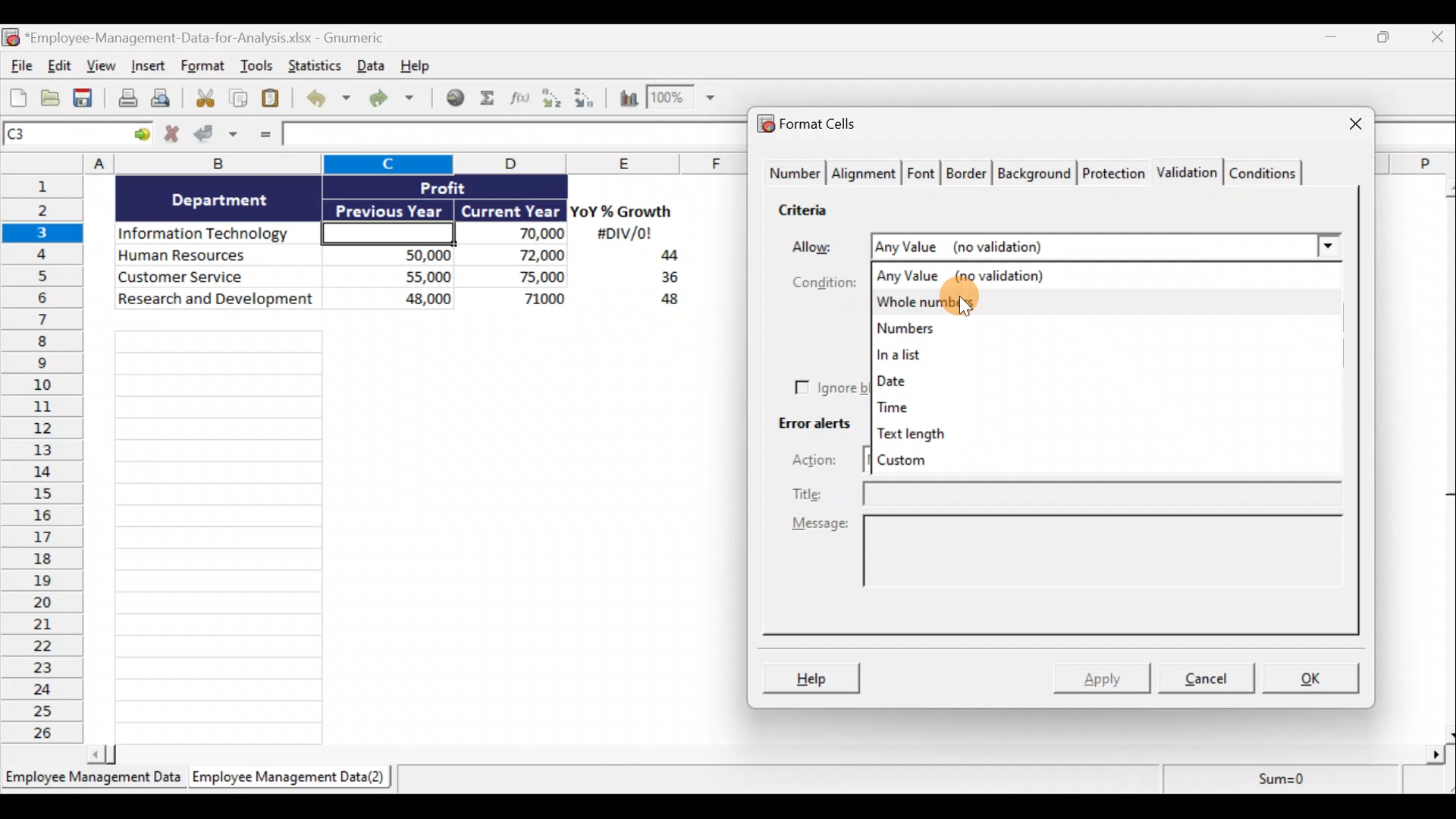 Image resolution: width=1456 pixels, height=819 pixels. Describe the element at coordinates (397, 254) in the screenshot. I see `50,000` at that location.